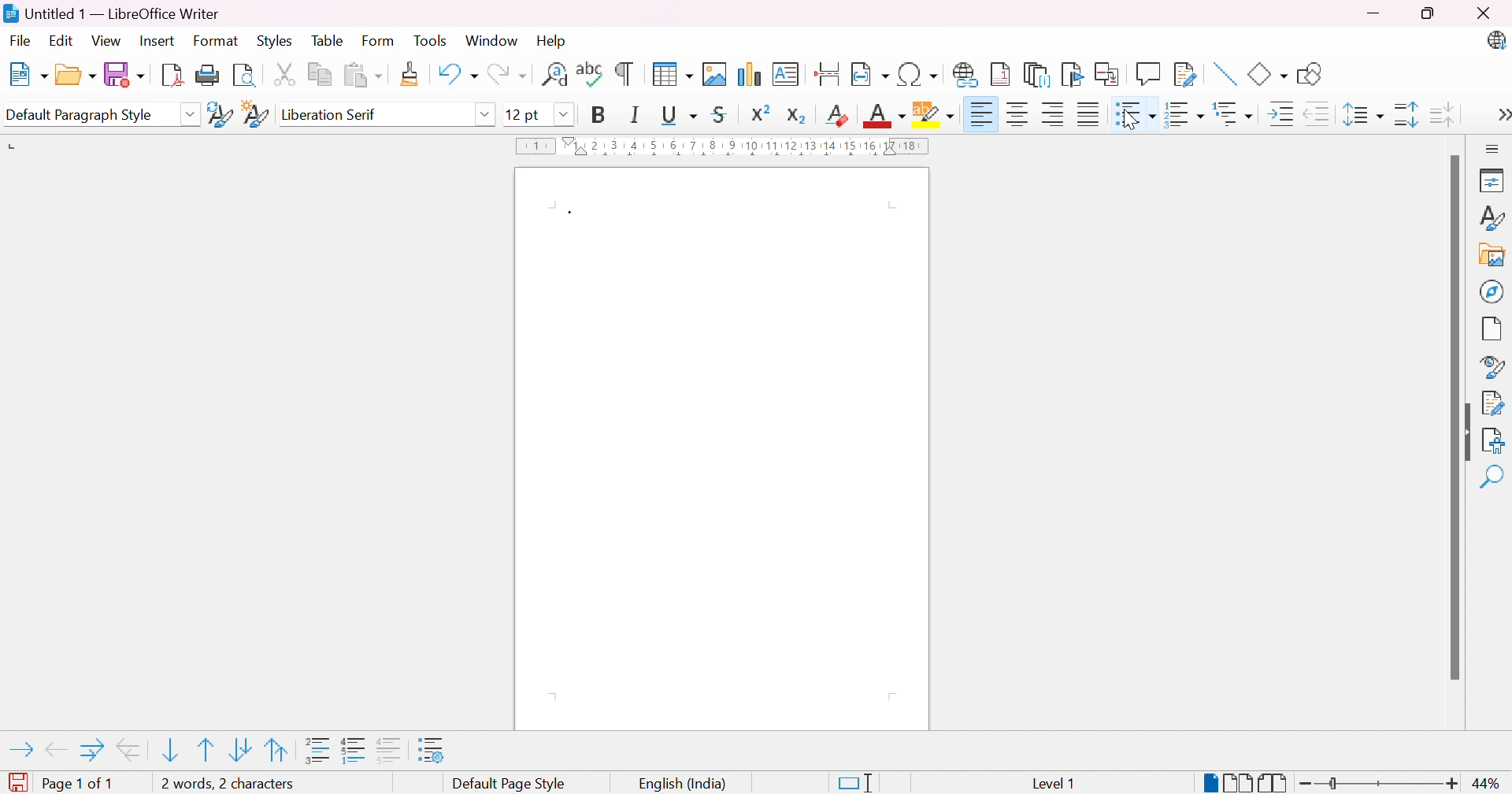  What do you see at coordinates (1057, 781) in the screenshot?
I see `level 1` at bounding box center [1057, 781].